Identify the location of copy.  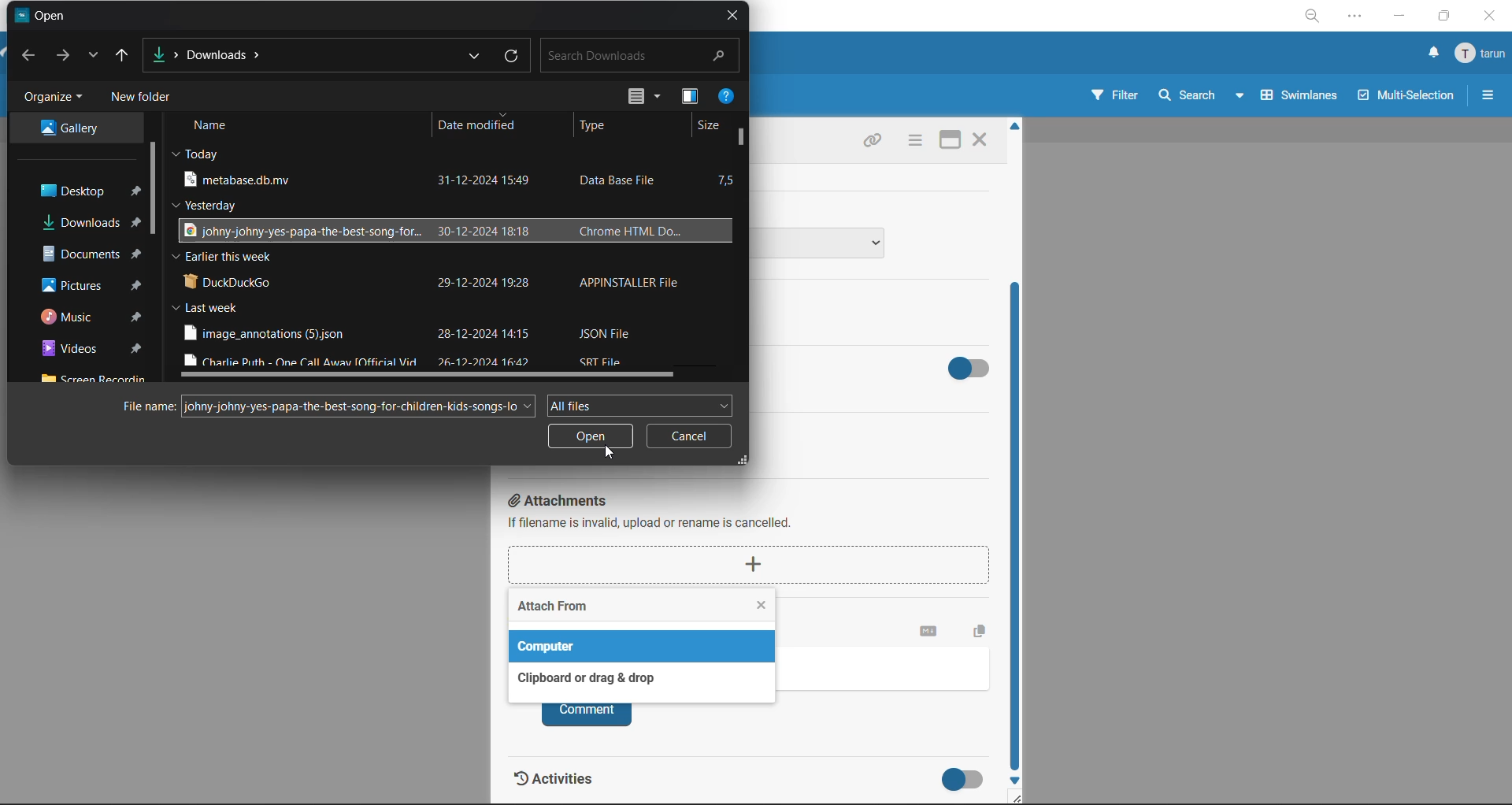
(984, 629).